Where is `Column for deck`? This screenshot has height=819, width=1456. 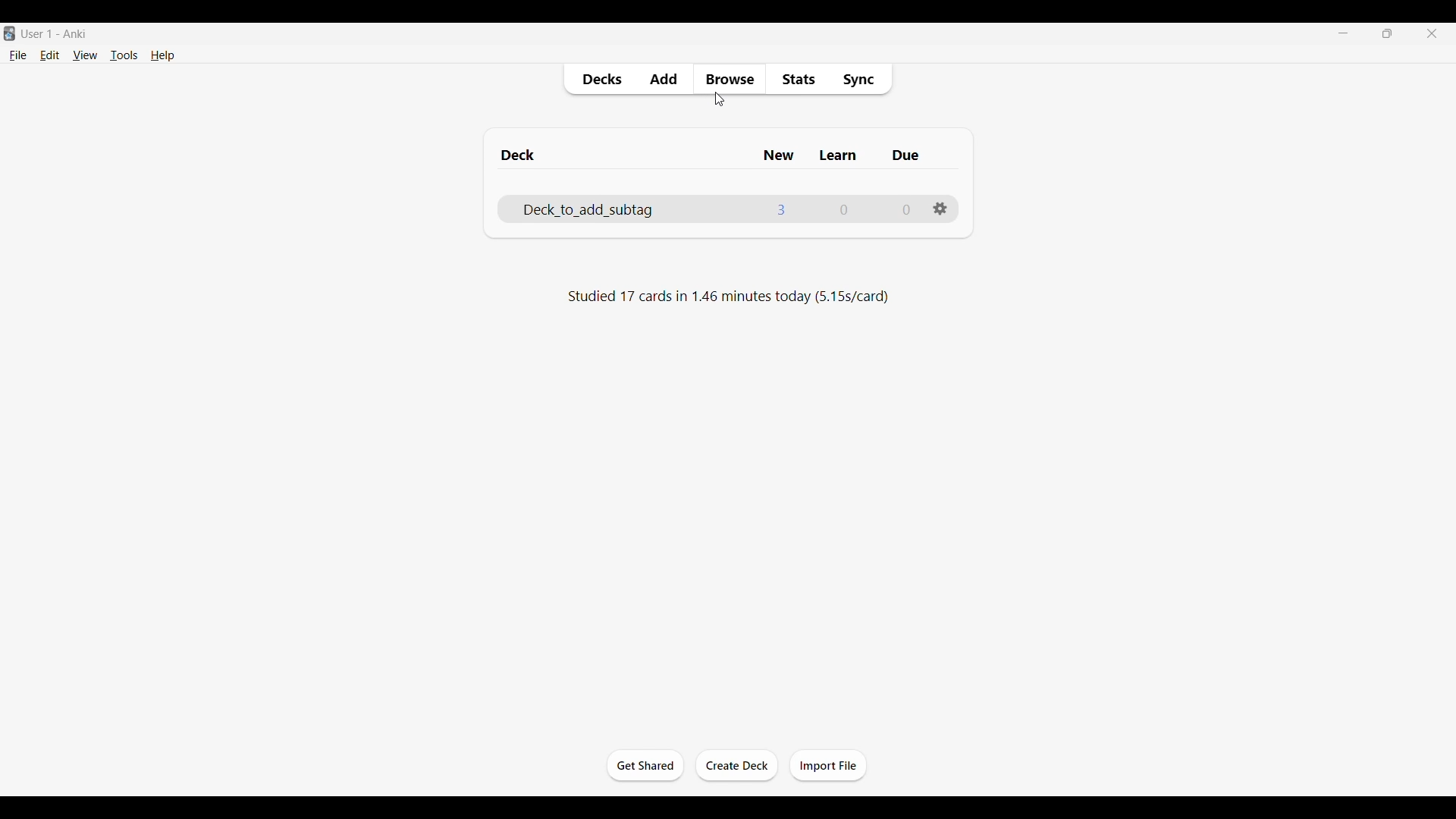
Column for deck is located at coordinates (620, 154).